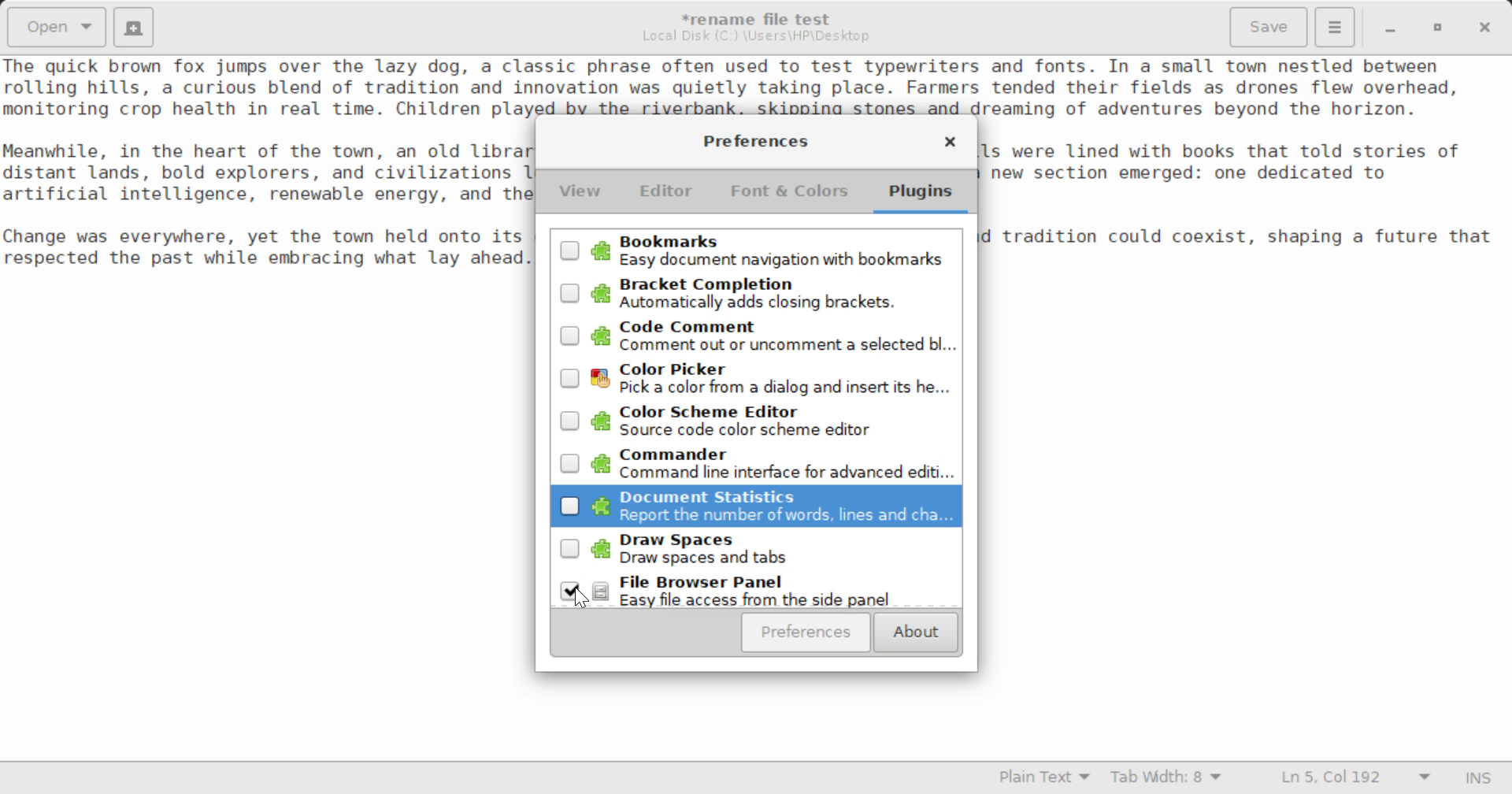  Describe the element at coordinates (1356, 779) in the screenshot. I see `Line & Character Count` at that location.